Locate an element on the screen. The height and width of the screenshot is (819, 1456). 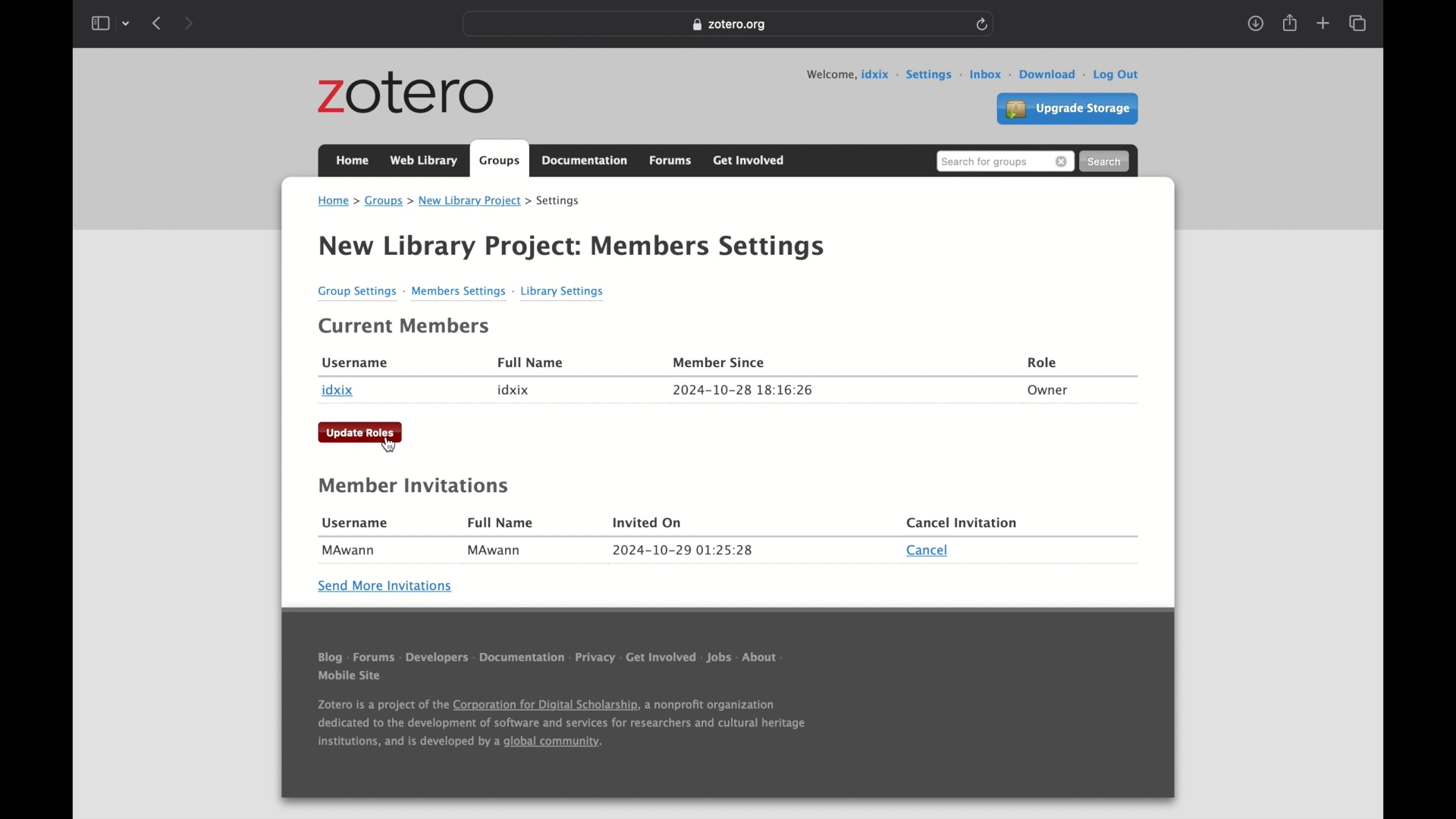
blog is located at coordinates (327, 656).